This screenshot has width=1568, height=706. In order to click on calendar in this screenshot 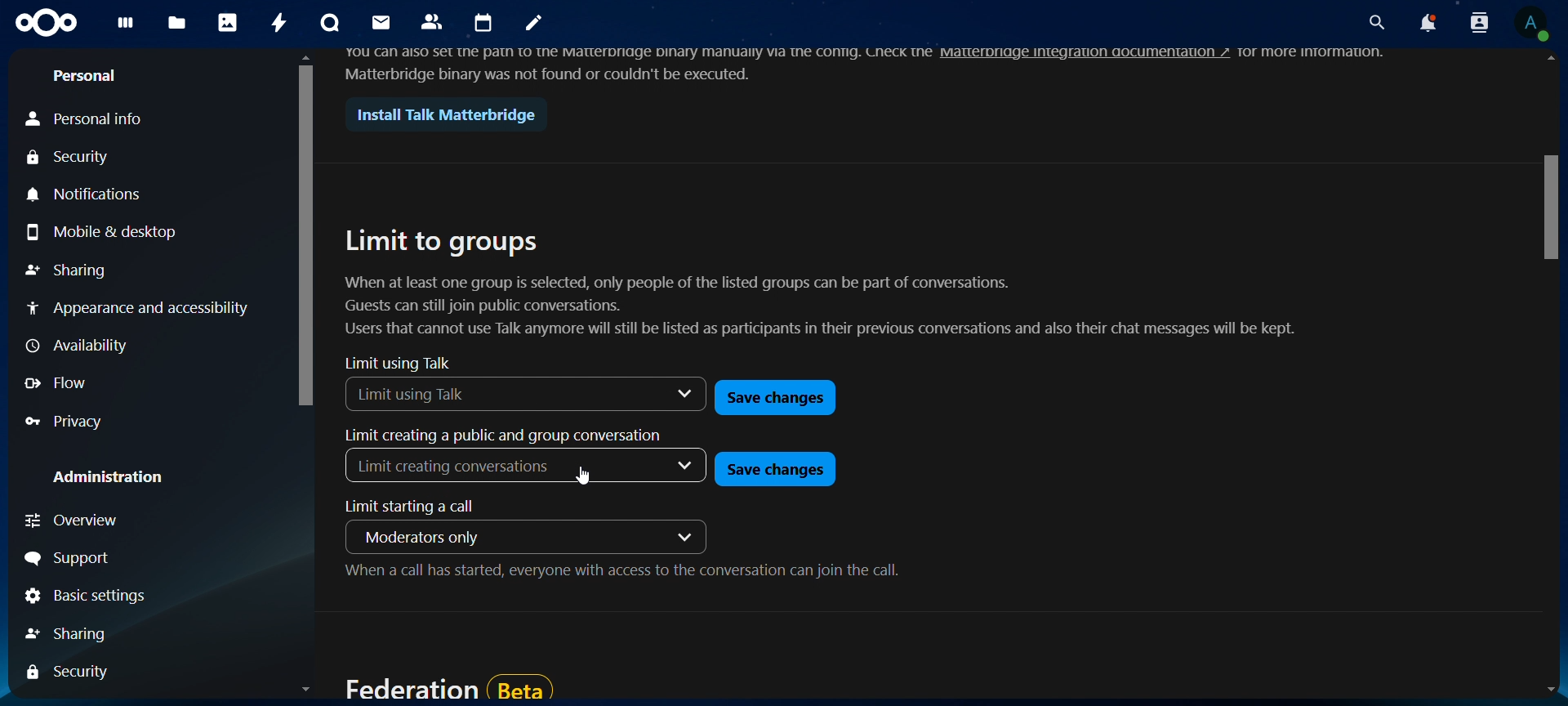, I will do `click(484, 23)`.